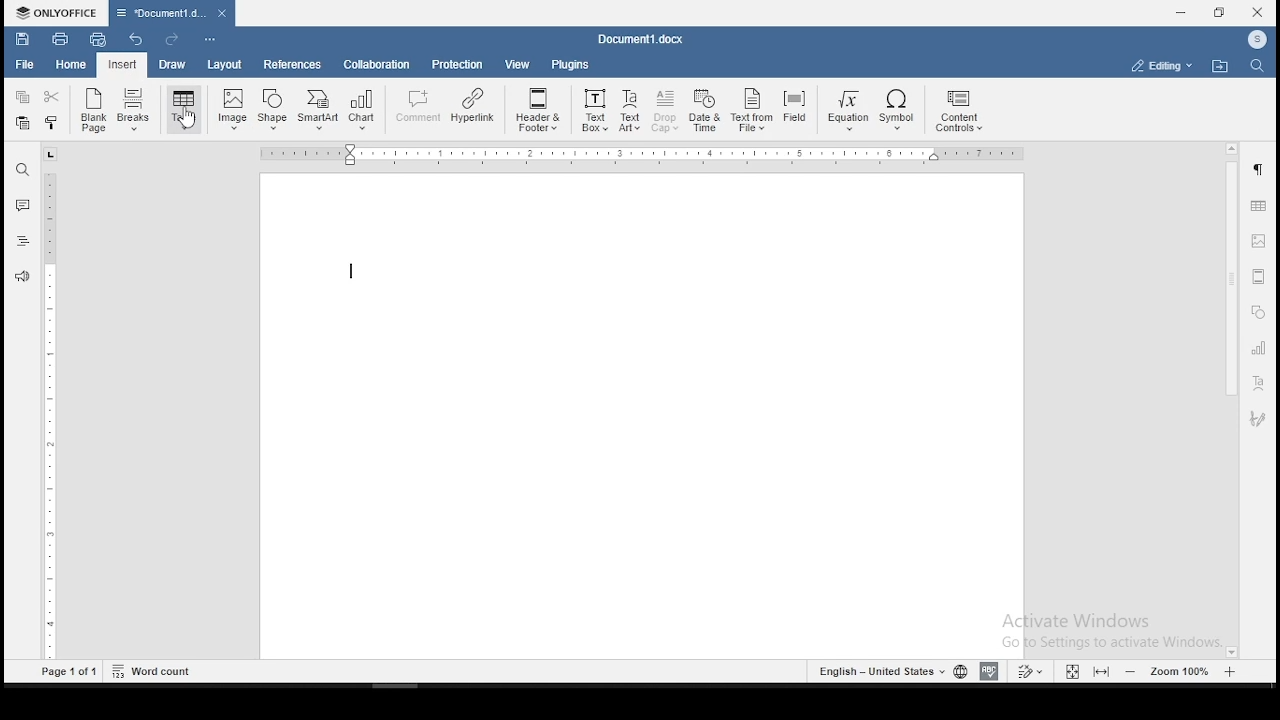 This screenshot has height=720, width=1280. What do you see at coordinates (170, 39) in the screenshot?
I see `redo` at bounding box center [170, 39].